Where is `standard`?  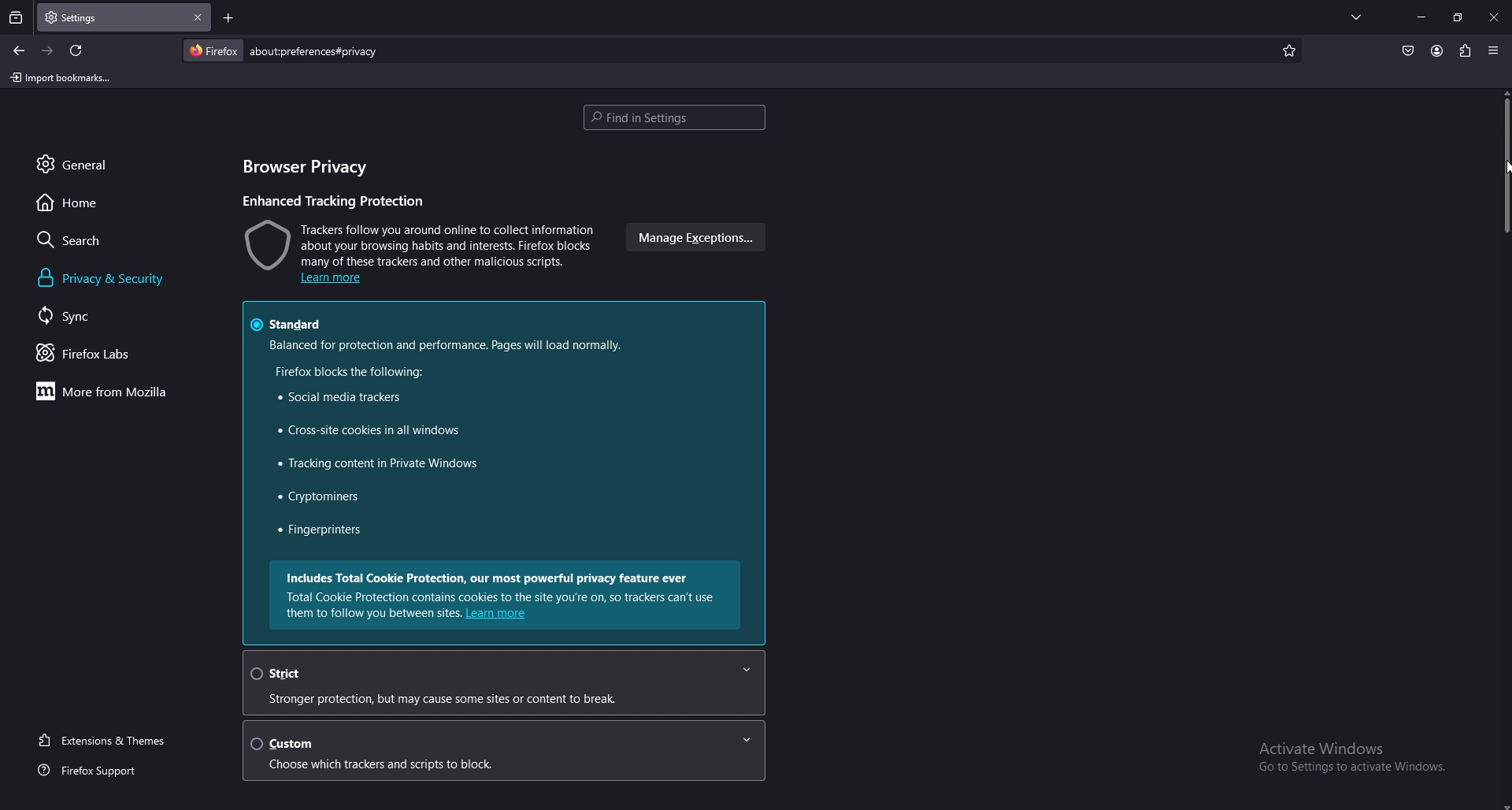
standard is located at coordinates (502, 470).